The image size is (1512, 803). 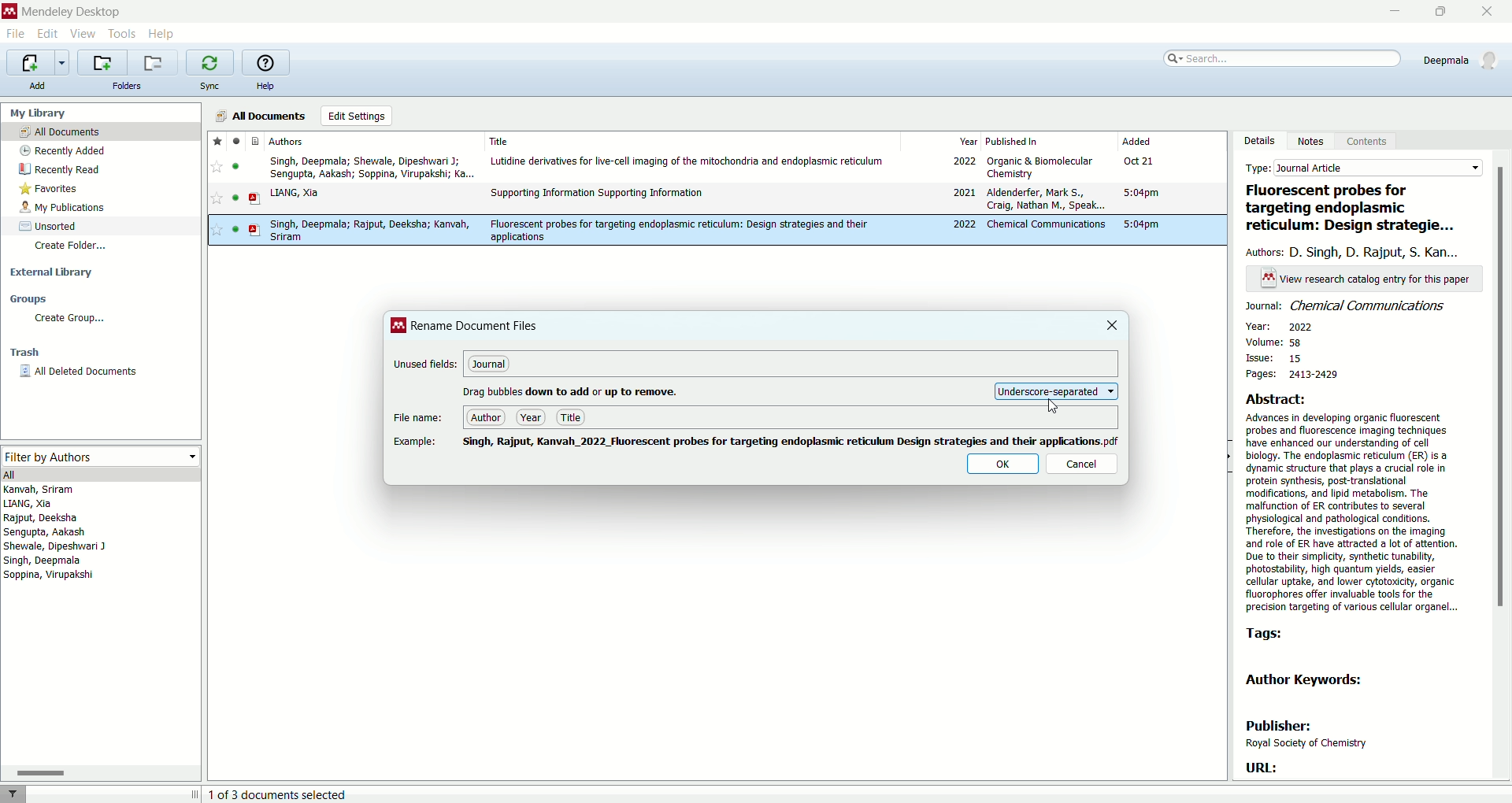 What do you see at coordinates (1392, 12) in the screenshot?
I see `minimize` at bounding box center [1392, 12].